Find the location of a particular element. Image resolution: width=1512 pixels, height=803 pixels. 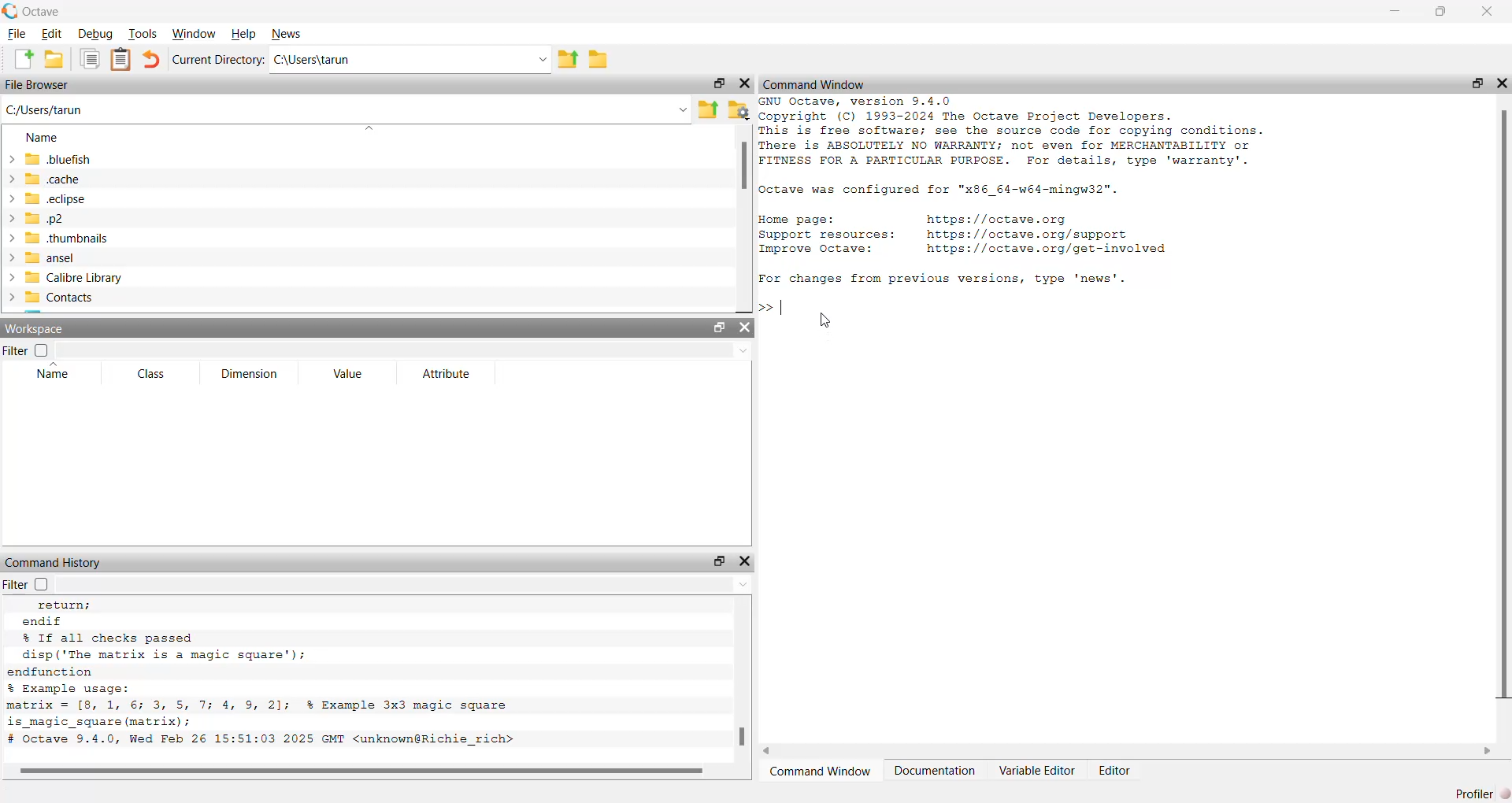

File is located at coordinates (17, 34).